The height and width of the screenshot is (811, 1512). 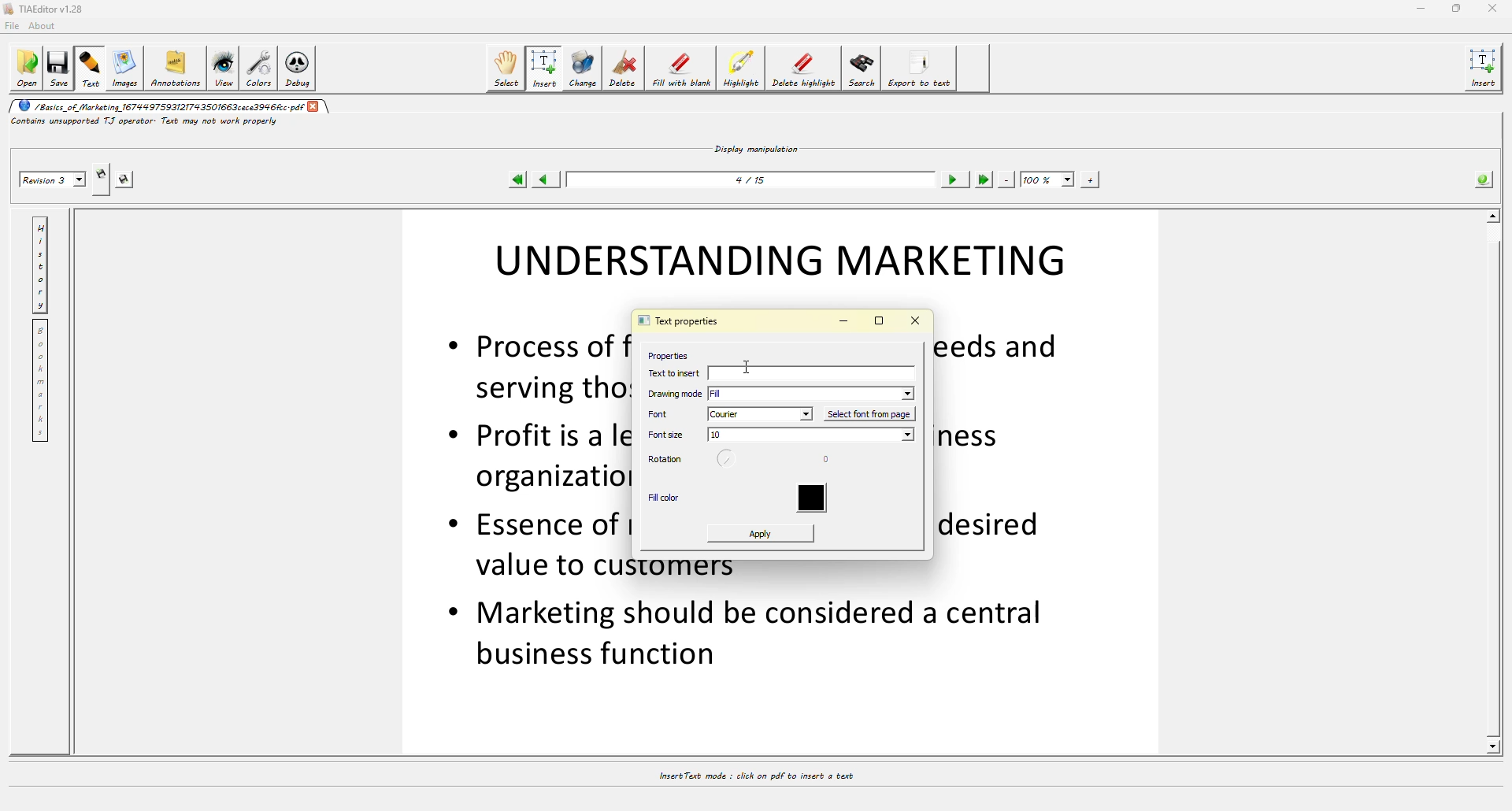 I want to click on change, so click(x=583, y=68).